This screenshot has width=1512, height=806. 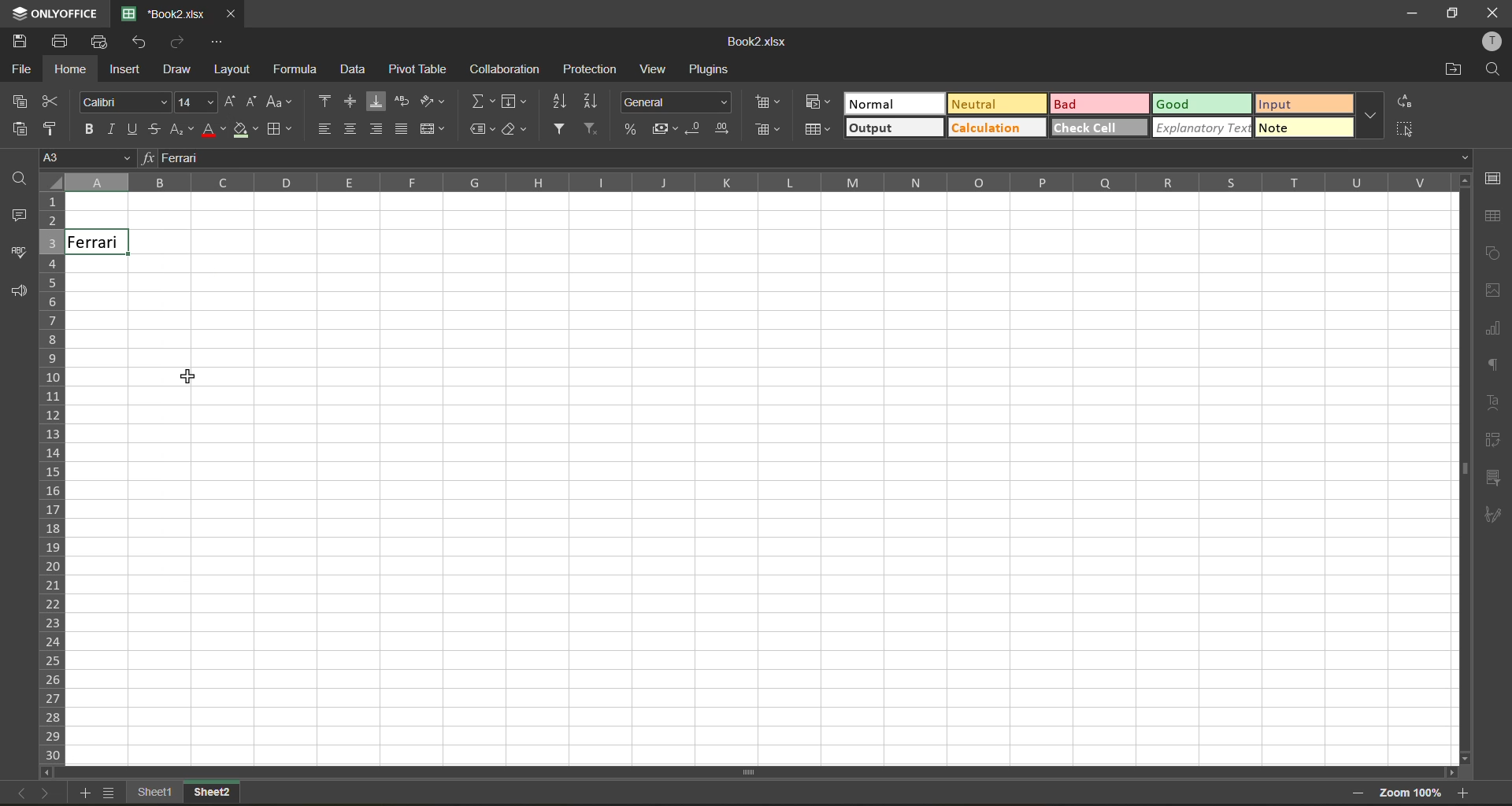 I want to click on font size increased, so click(x=97, y=241).